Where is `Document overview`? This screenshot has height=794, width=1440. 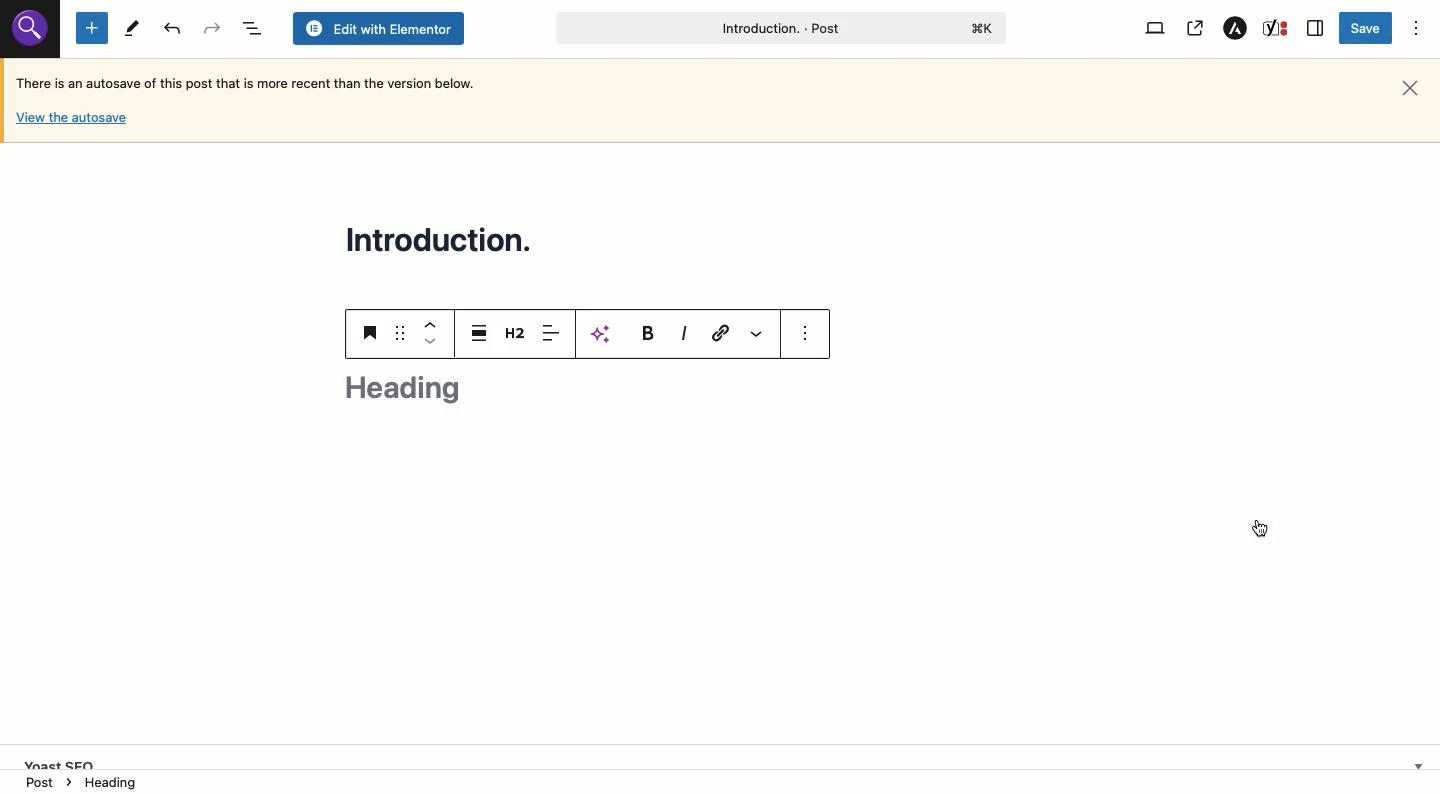 Document overview is located at coordinates (250, 28).